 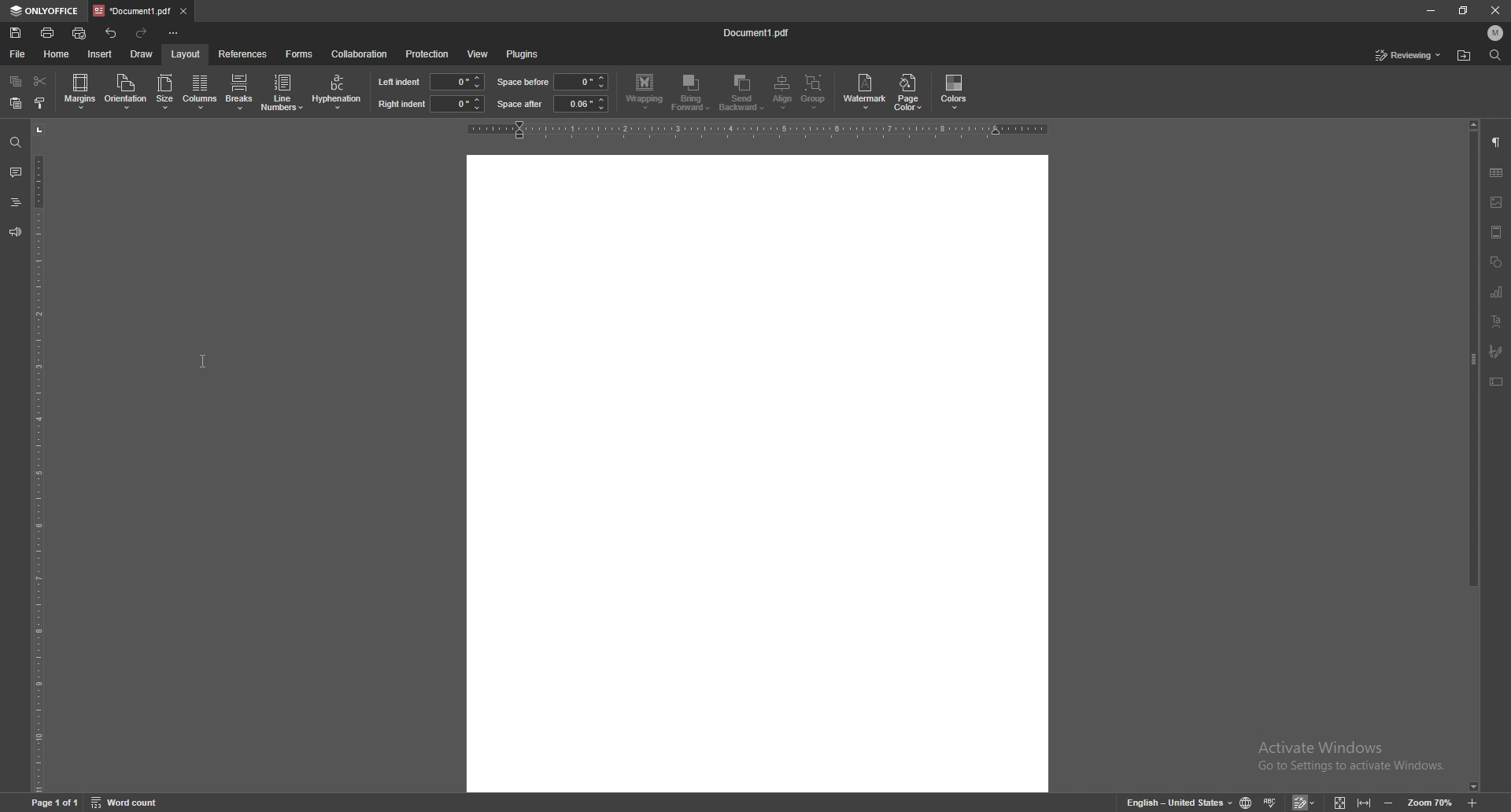 I want to click on comment, so click(x=16, y=173).